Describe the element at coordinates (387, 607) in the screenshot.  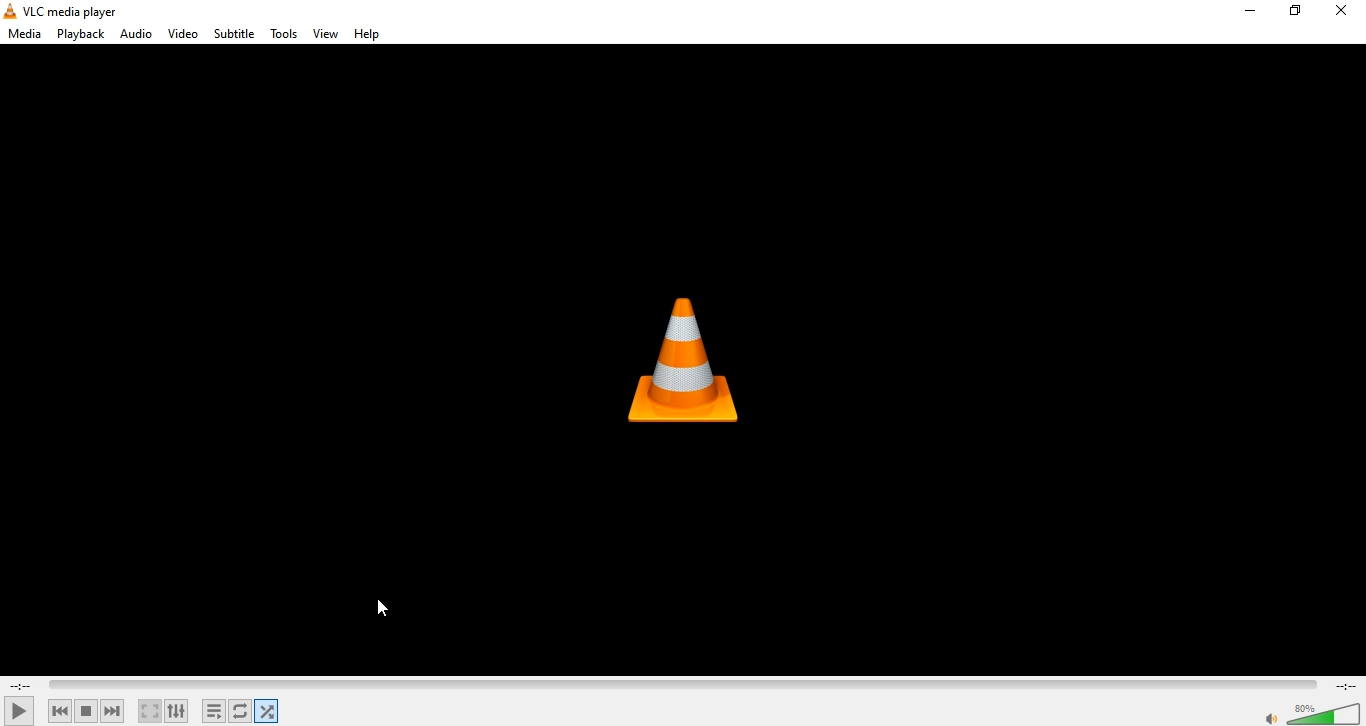
I see `cursor` at that location.